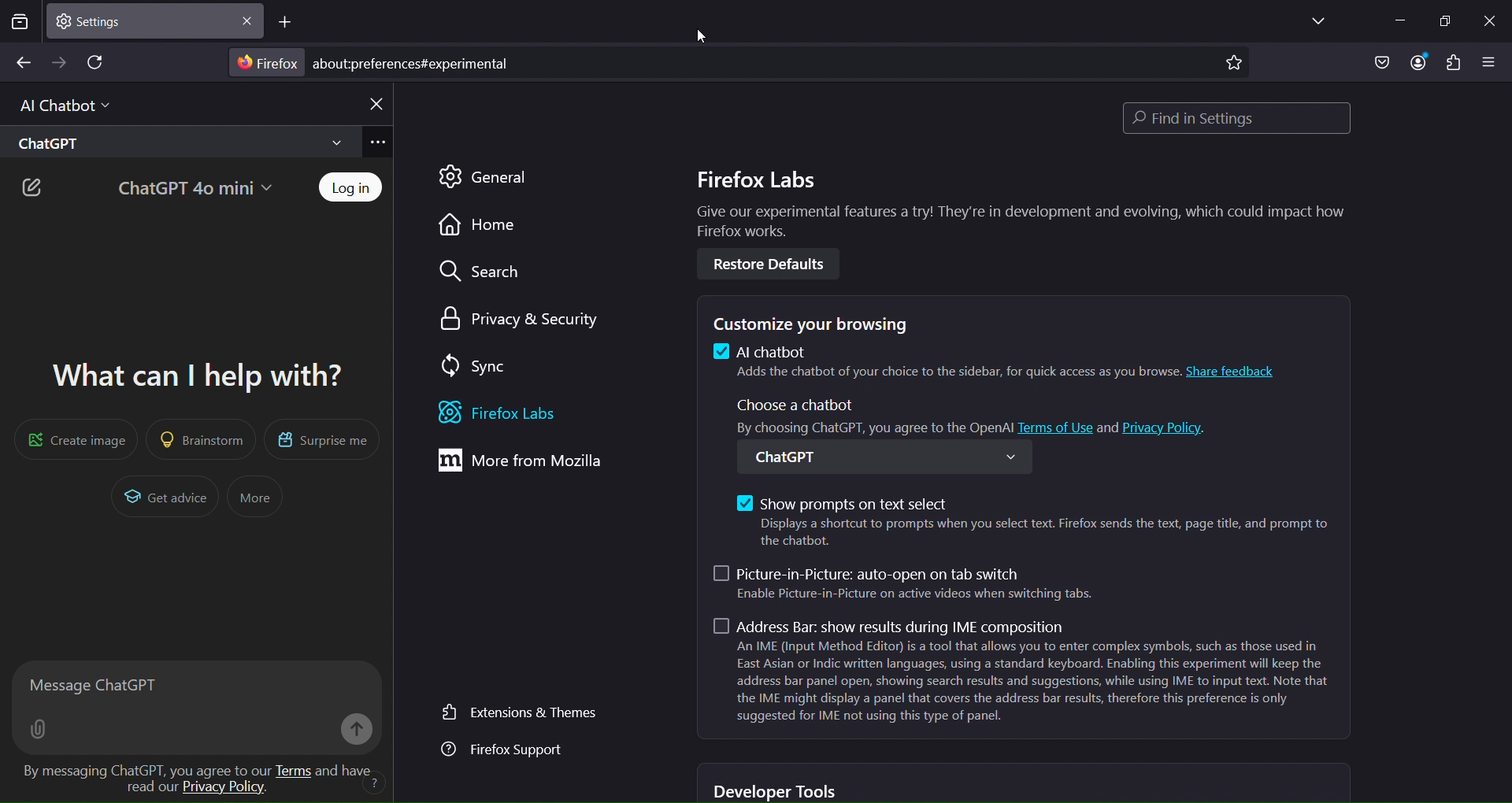 The image size is (1512, 803). I want to click on privacy and security, so click(523, 316).